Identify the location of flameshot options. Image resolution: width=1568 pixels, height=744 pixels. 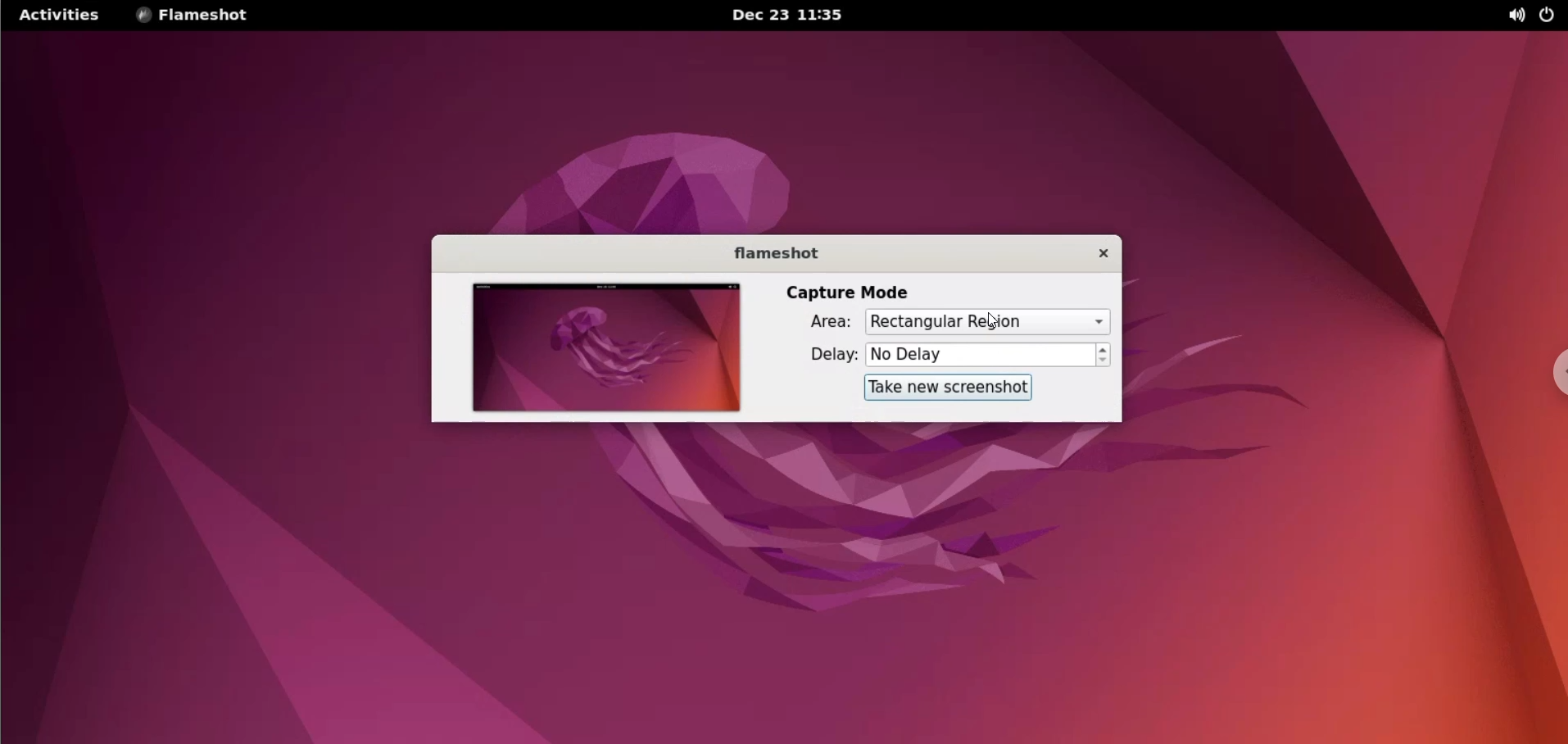
(202, 17).